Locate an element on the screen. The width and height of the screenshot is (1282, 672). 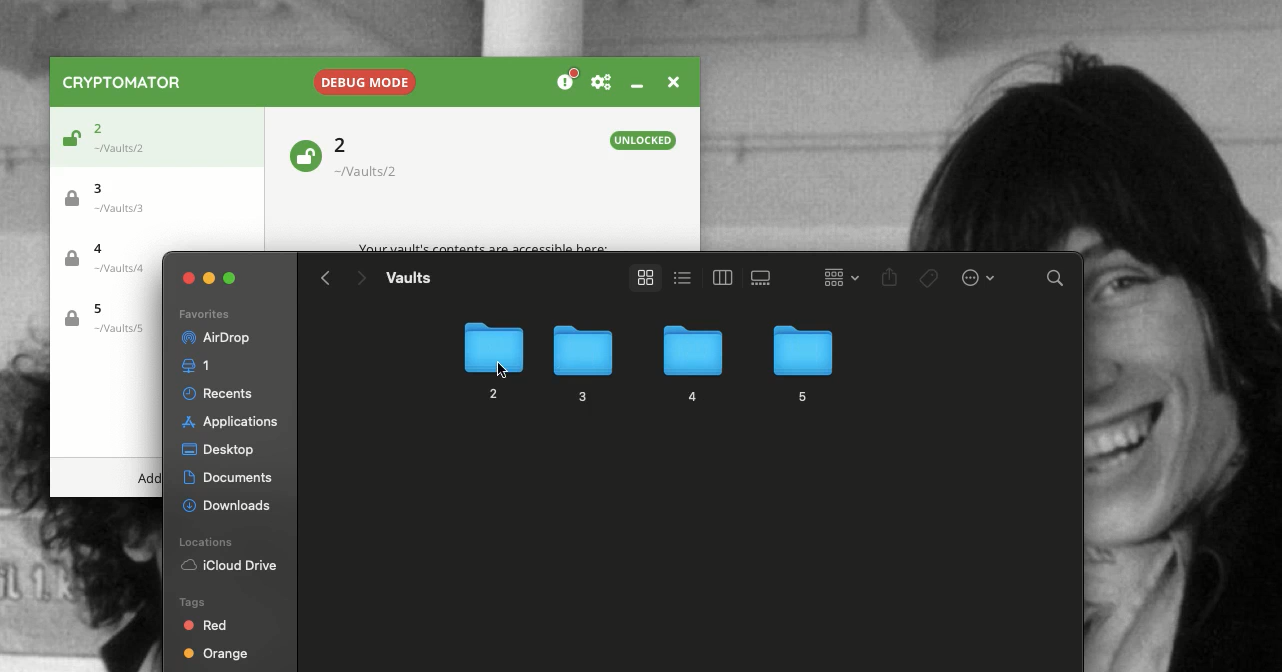
View is located at coordinates (641, 278).